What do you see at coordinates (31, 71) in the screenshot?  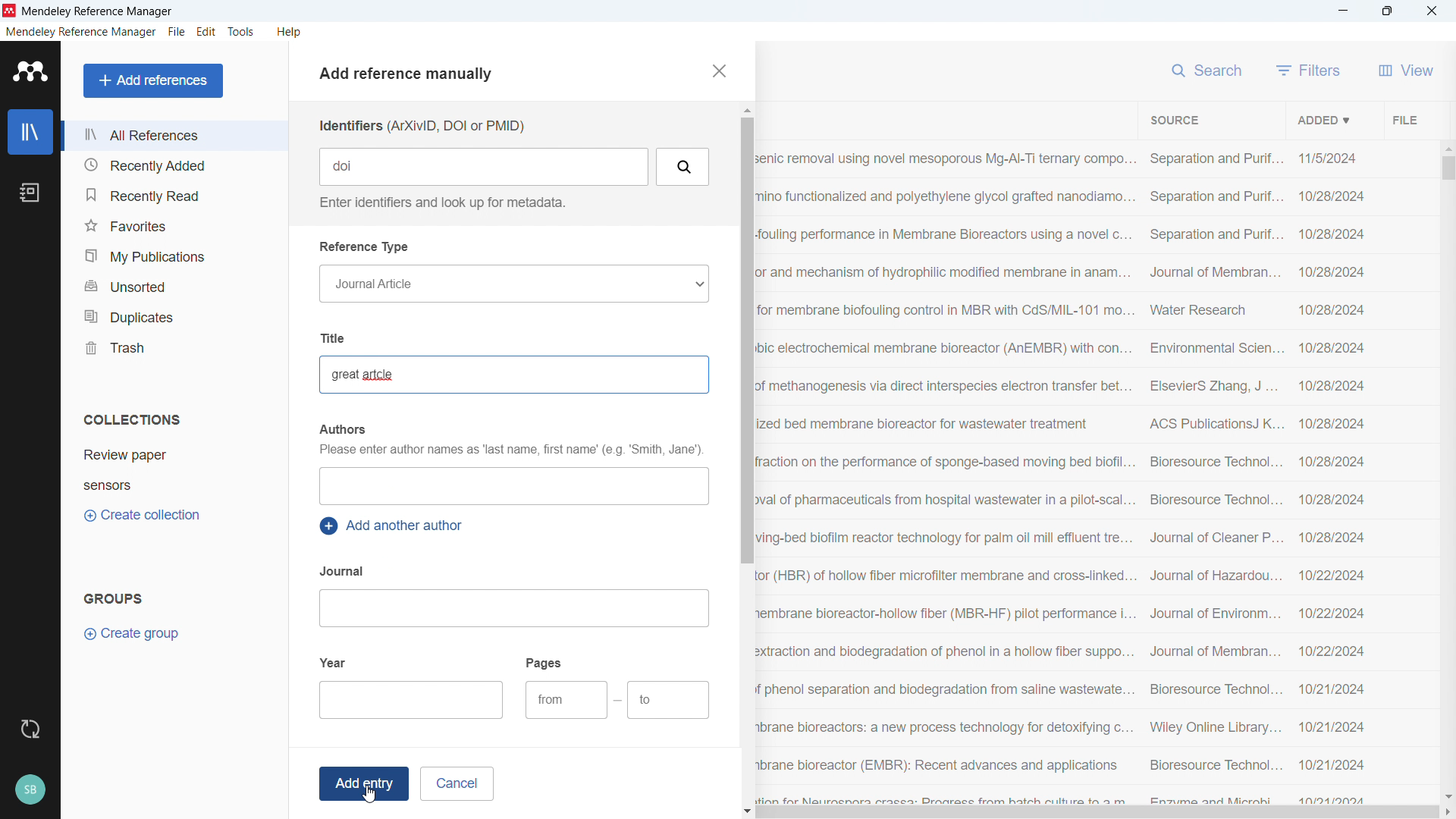 I see `Logo ` at bounding box center [31, 71].